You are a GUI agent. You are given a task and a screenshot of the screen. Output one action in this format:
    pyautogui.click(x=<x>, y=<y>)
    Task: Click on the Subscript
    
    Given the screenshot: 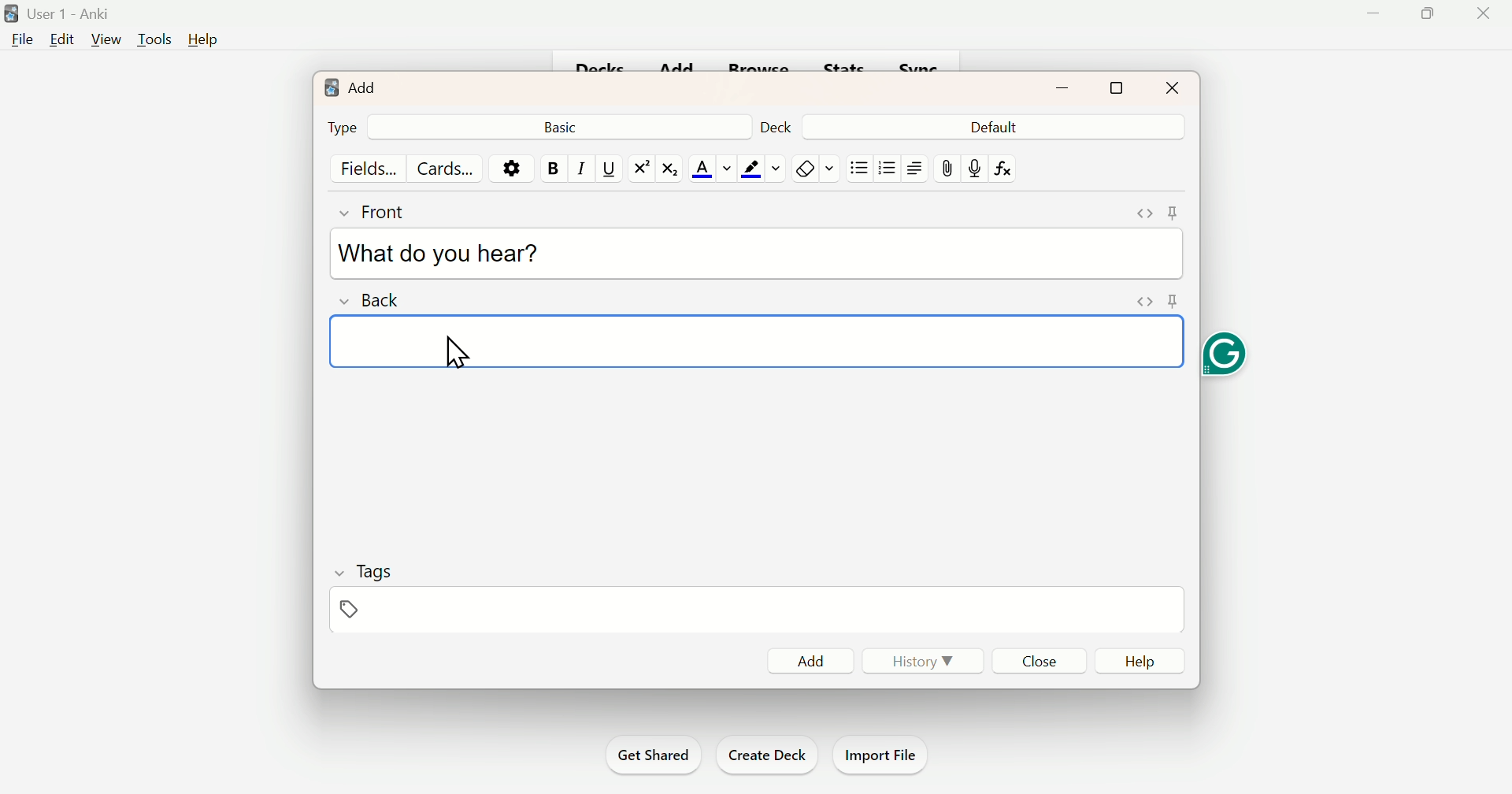 What is the action you would take?
    pyautogui.click(x=669, y=169)
    